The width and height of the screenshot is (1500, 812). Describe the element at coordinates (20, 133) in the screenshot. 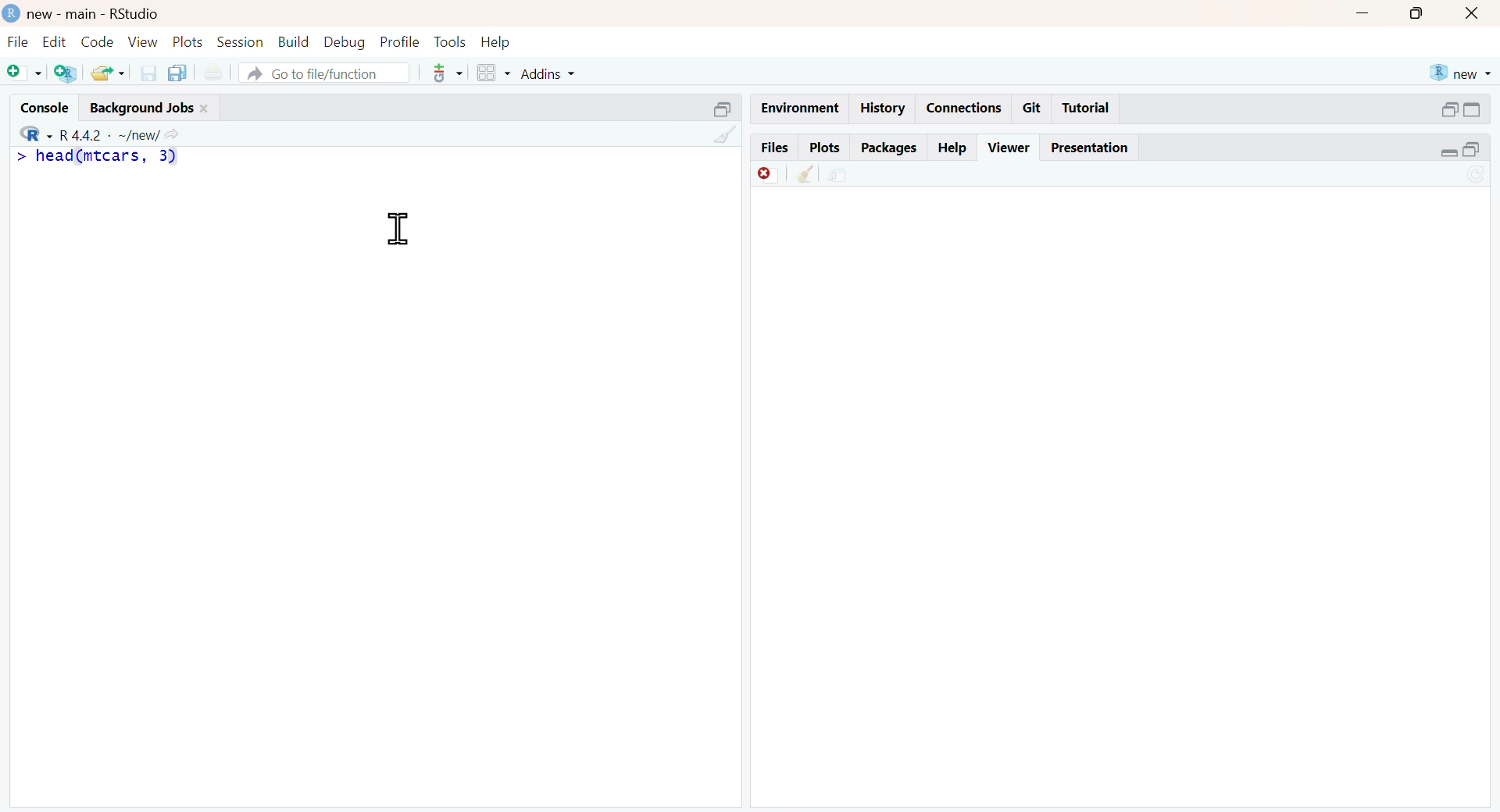

I see `R dropdown` at that location.